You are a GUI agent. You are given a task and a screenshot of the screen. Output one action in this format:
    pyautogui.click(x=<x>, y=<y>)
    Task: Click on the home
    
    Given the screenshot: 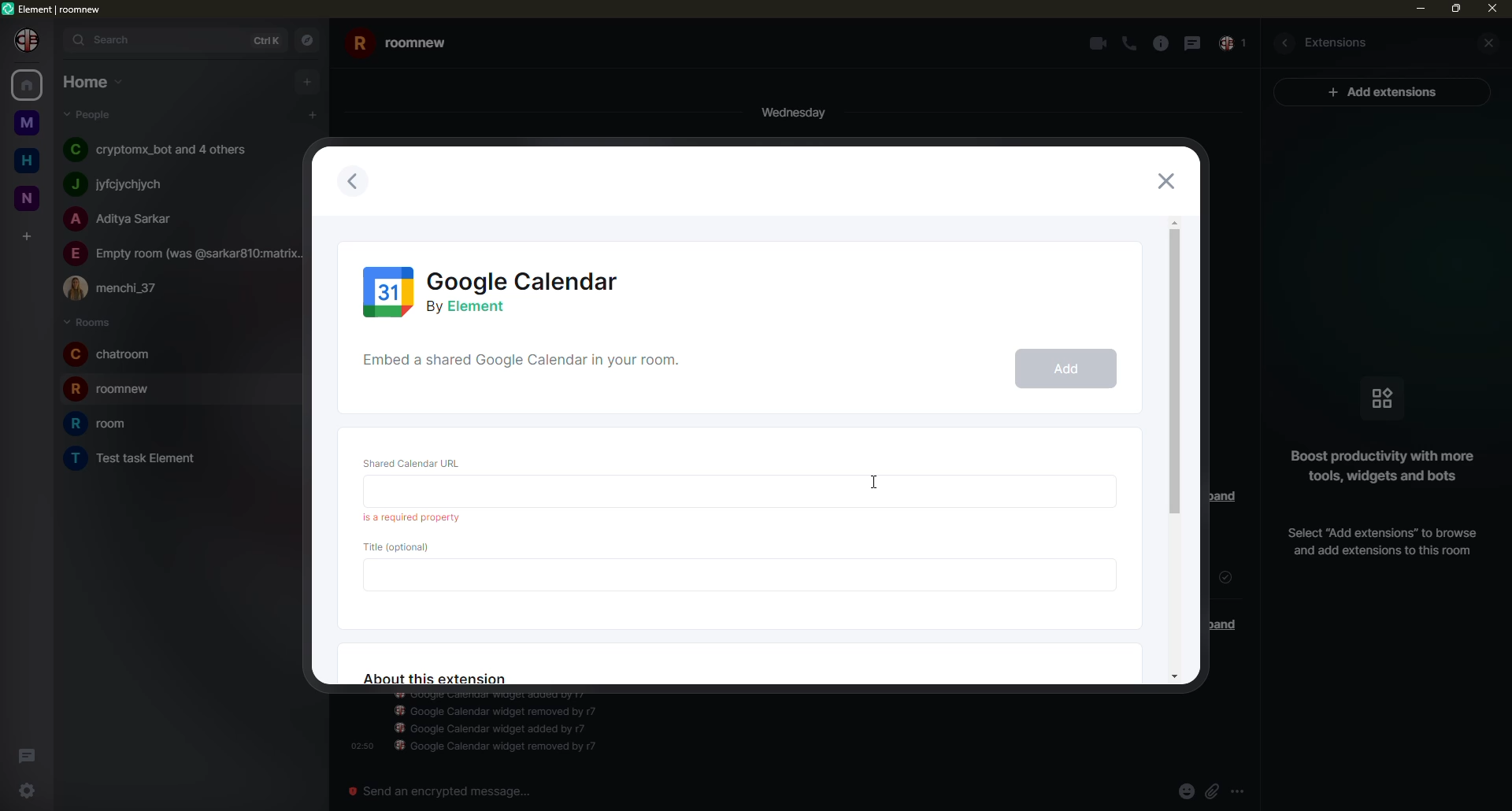 What is the action you would take?
    pyautogui.click(x=91, y=81)
    